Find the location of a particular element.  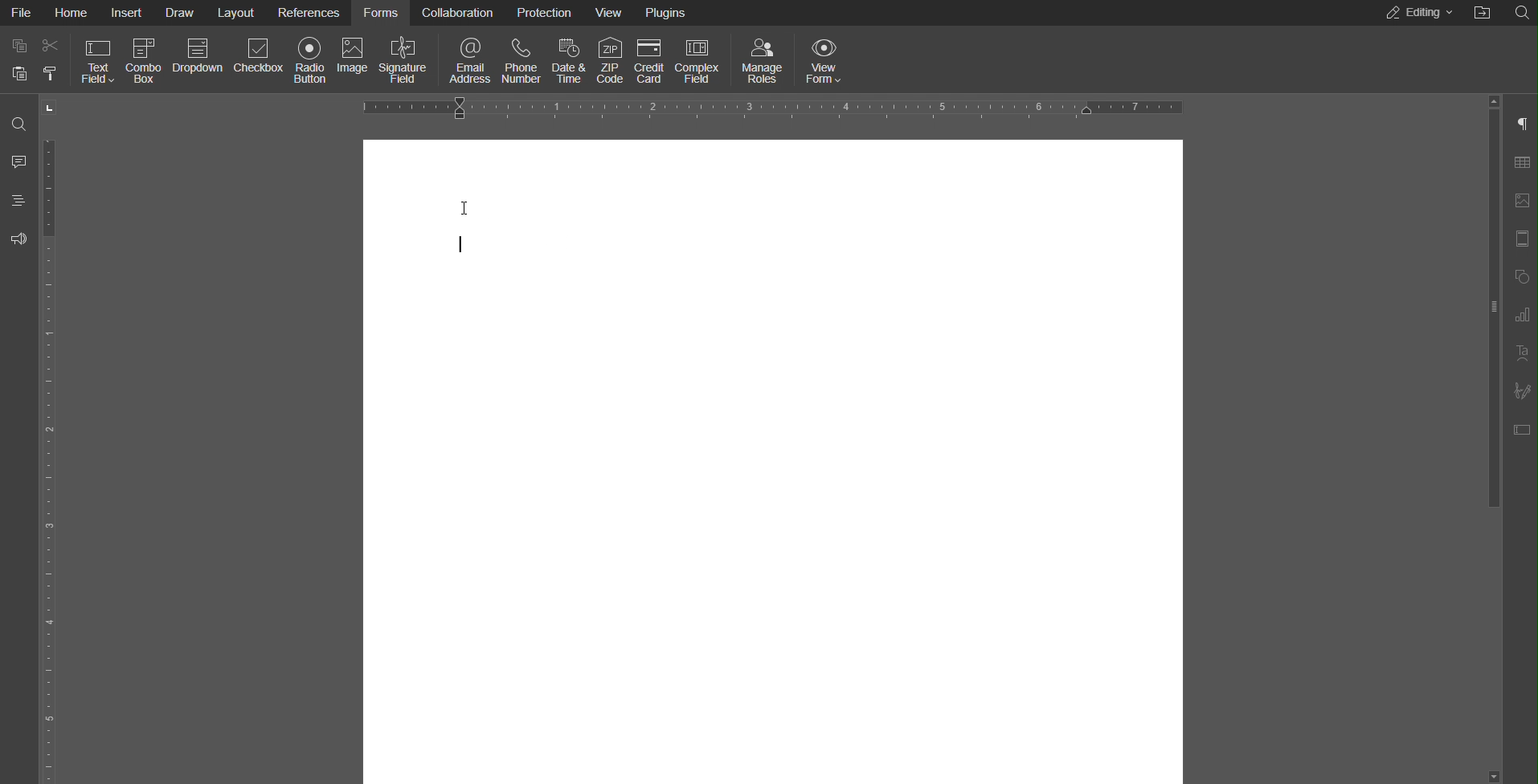

Manage Roles is located at coordinates (763, 59).